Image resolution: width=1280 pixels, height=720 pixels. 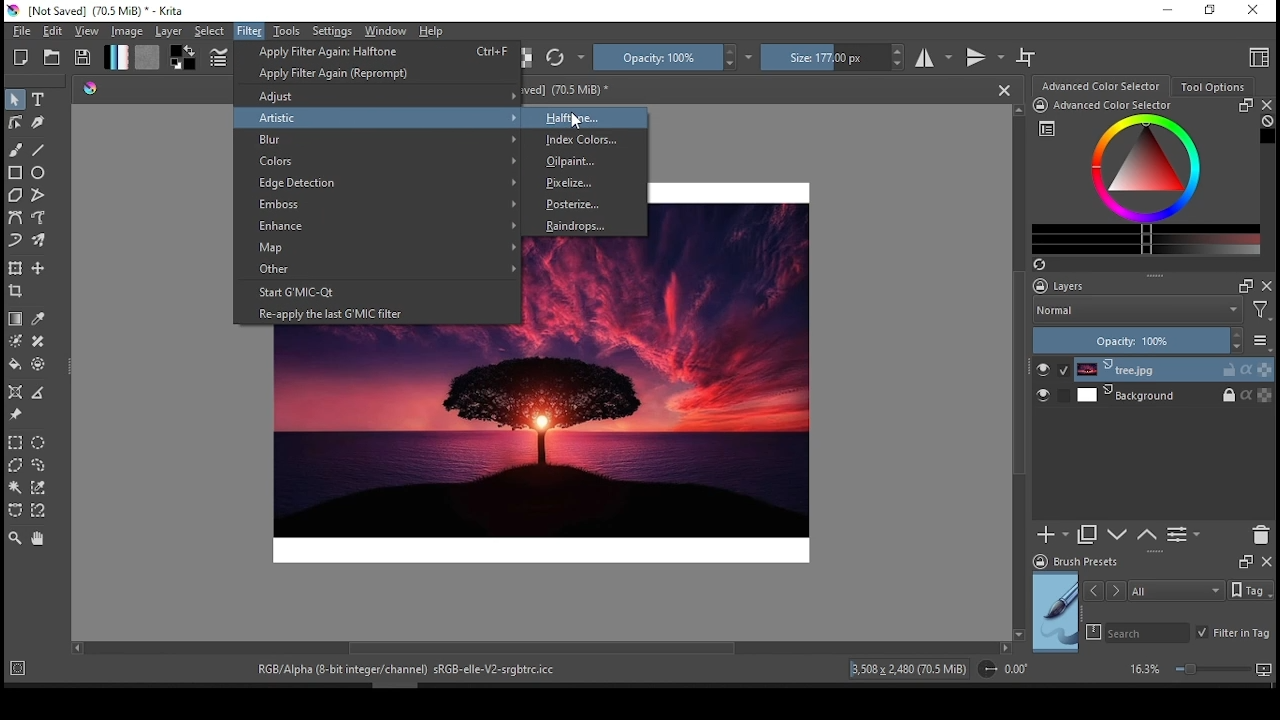 I want to click on move layer or down, so click(x=1118, y=537).